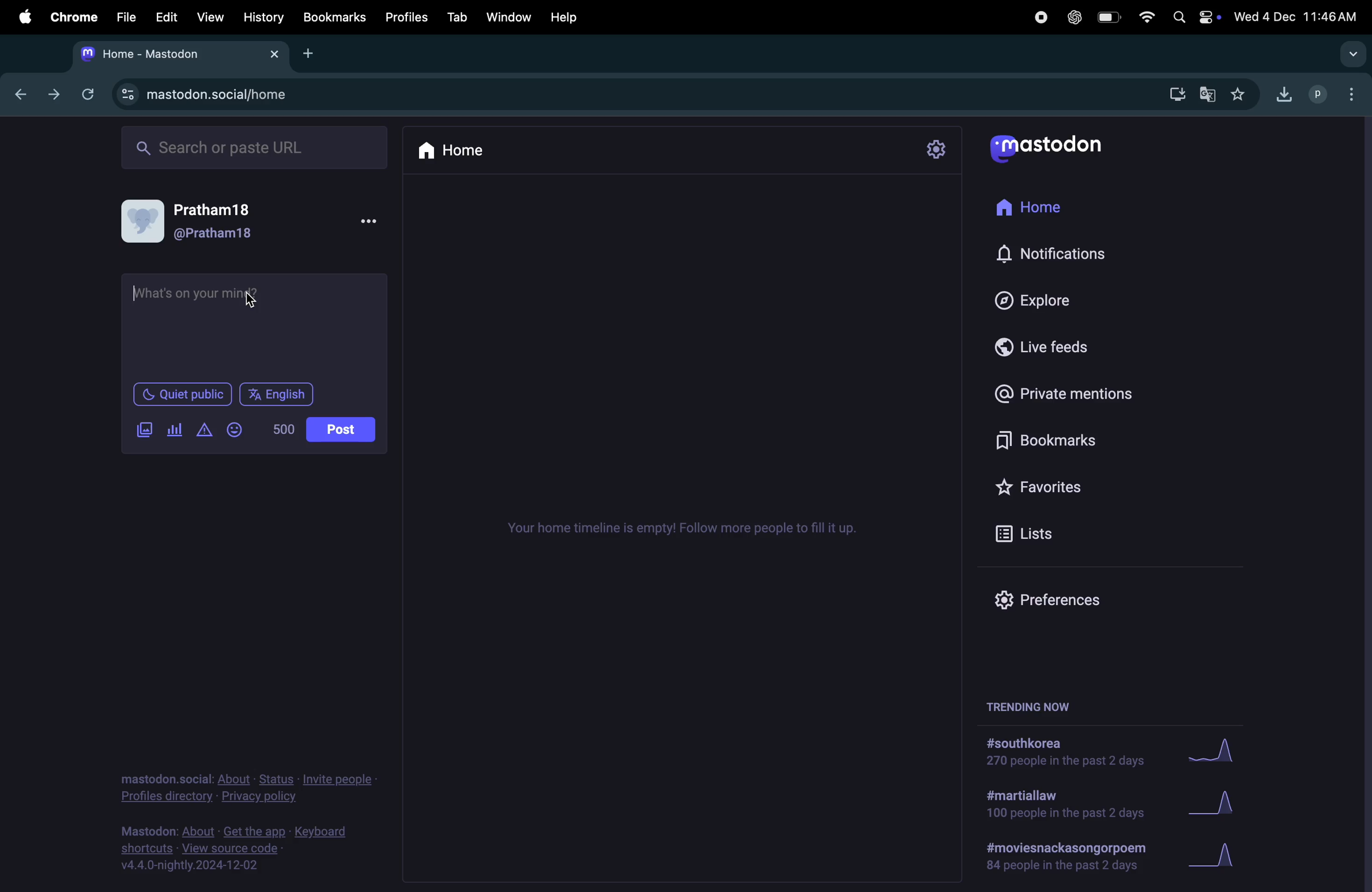 This screenshot has height=892, width=1372. What do you see at coordinates (1065, 392) in the screenshot?
I see `private  mentions` at bounding box center [1065, 392].